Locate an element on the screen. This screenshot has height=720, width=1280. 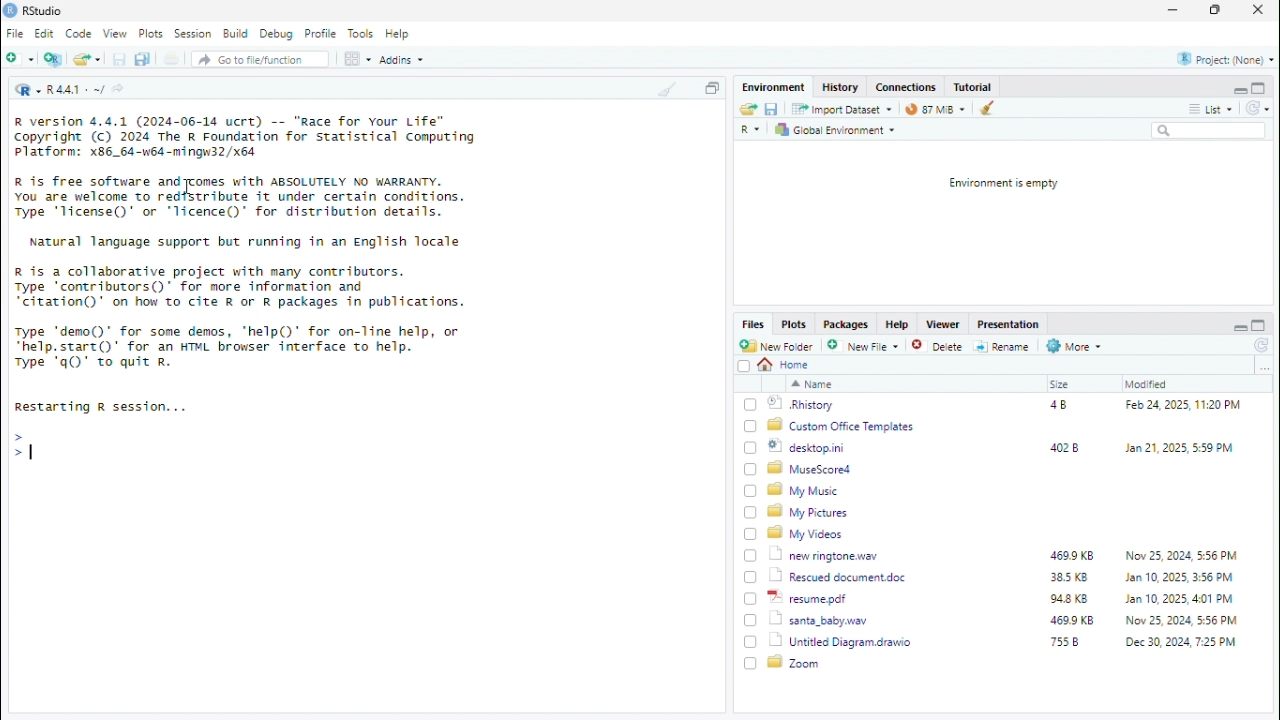
Global Environment is located at coordinates (836, 130).